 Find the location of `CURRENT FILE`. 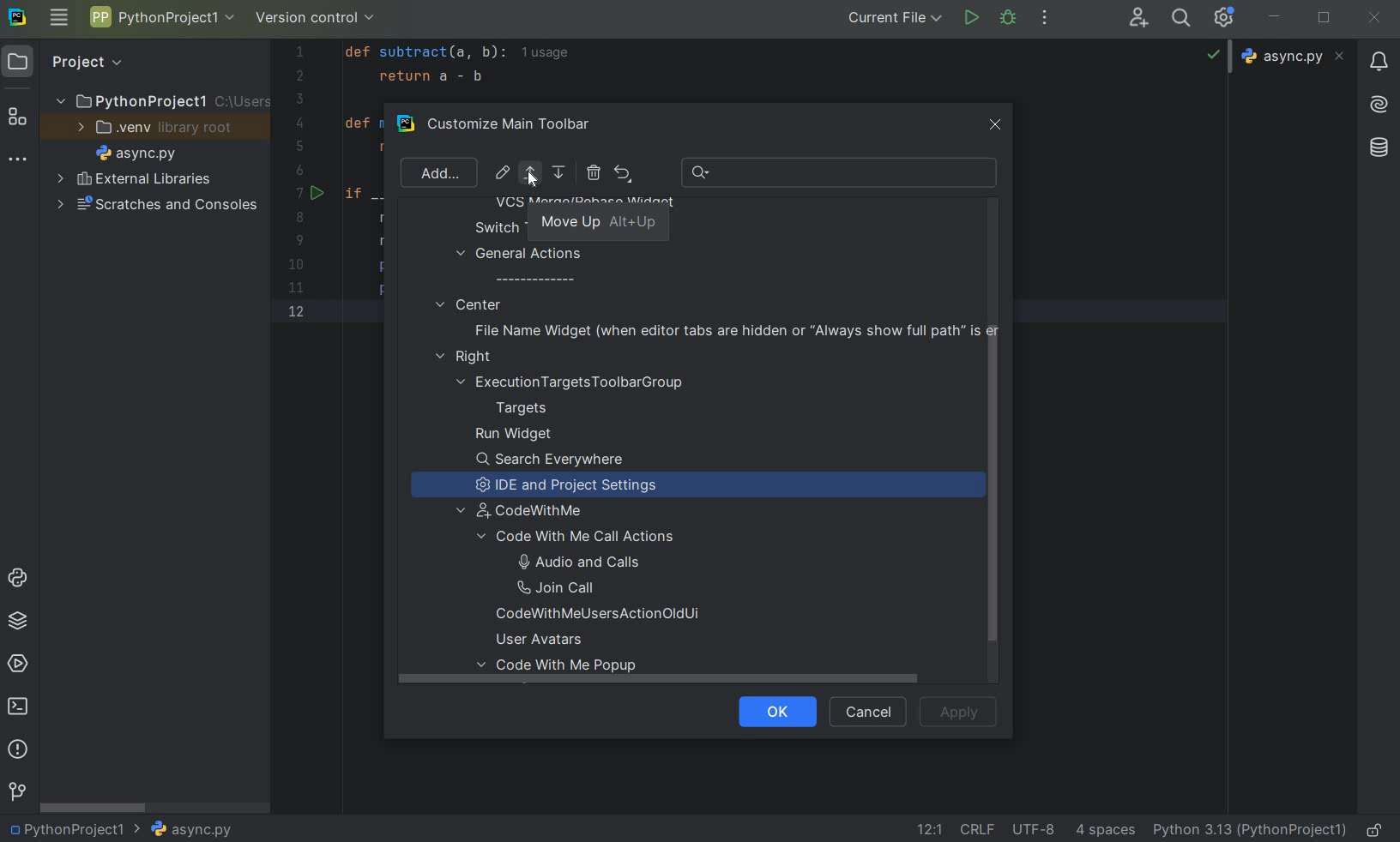

CURRENT FILE is located at coordinates (895, 17).